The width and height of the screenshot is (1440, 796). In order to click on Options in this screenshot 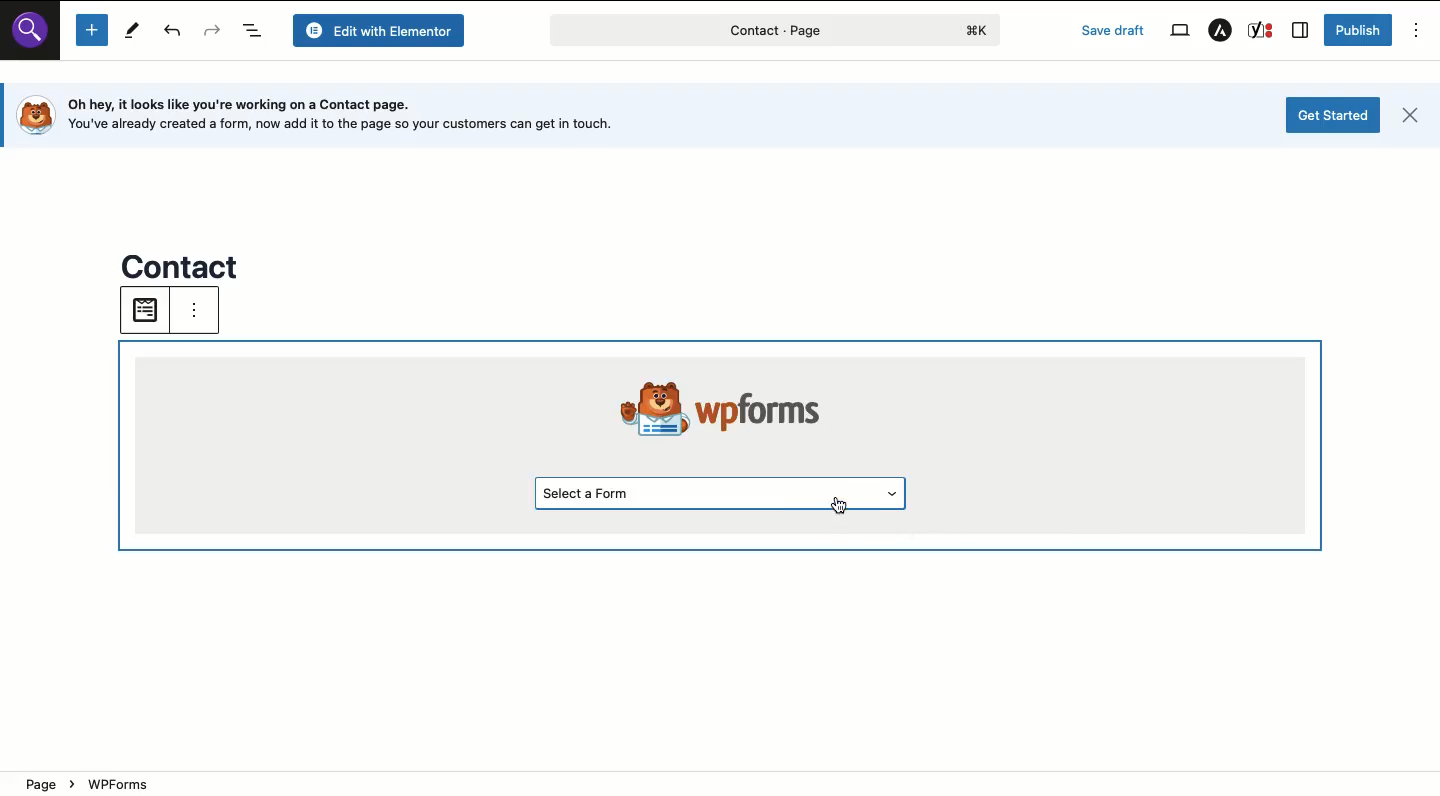, I will do `click(1417, 30)`.